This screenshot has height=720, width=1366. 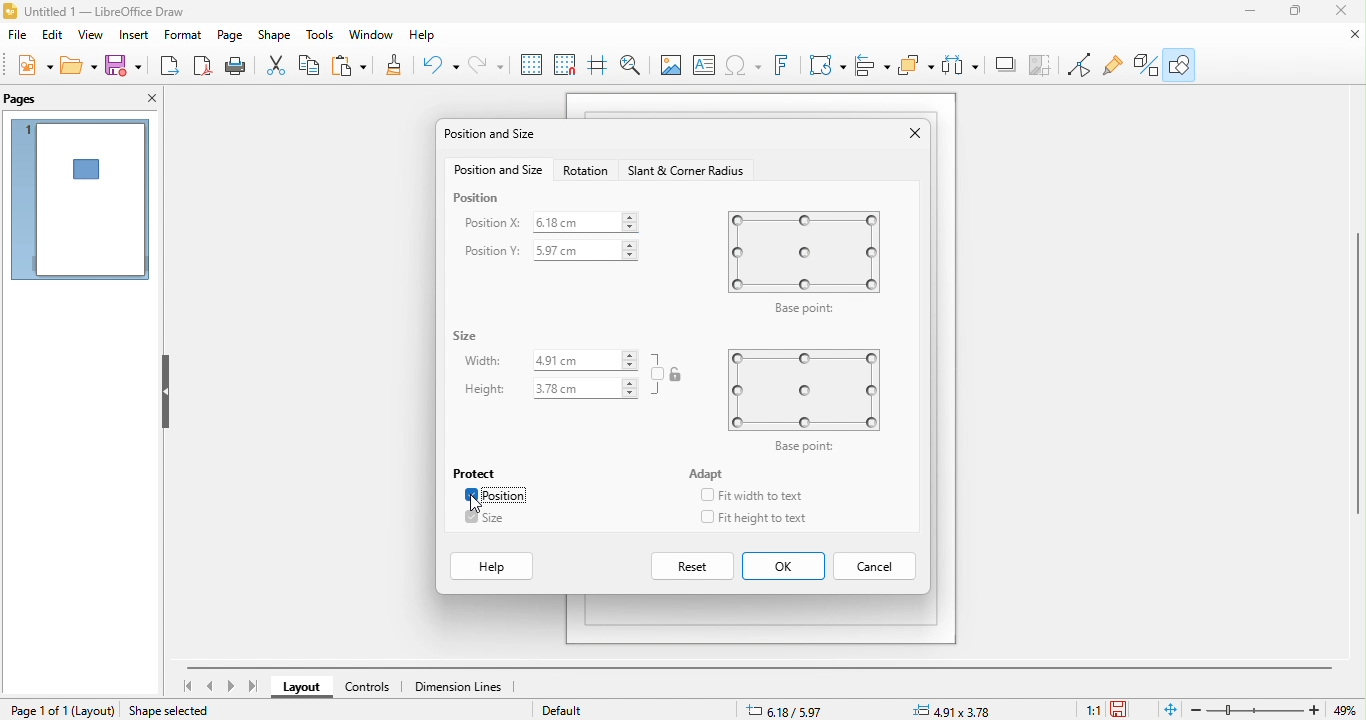 I want to click on position and size, so click(x=494, y=136).